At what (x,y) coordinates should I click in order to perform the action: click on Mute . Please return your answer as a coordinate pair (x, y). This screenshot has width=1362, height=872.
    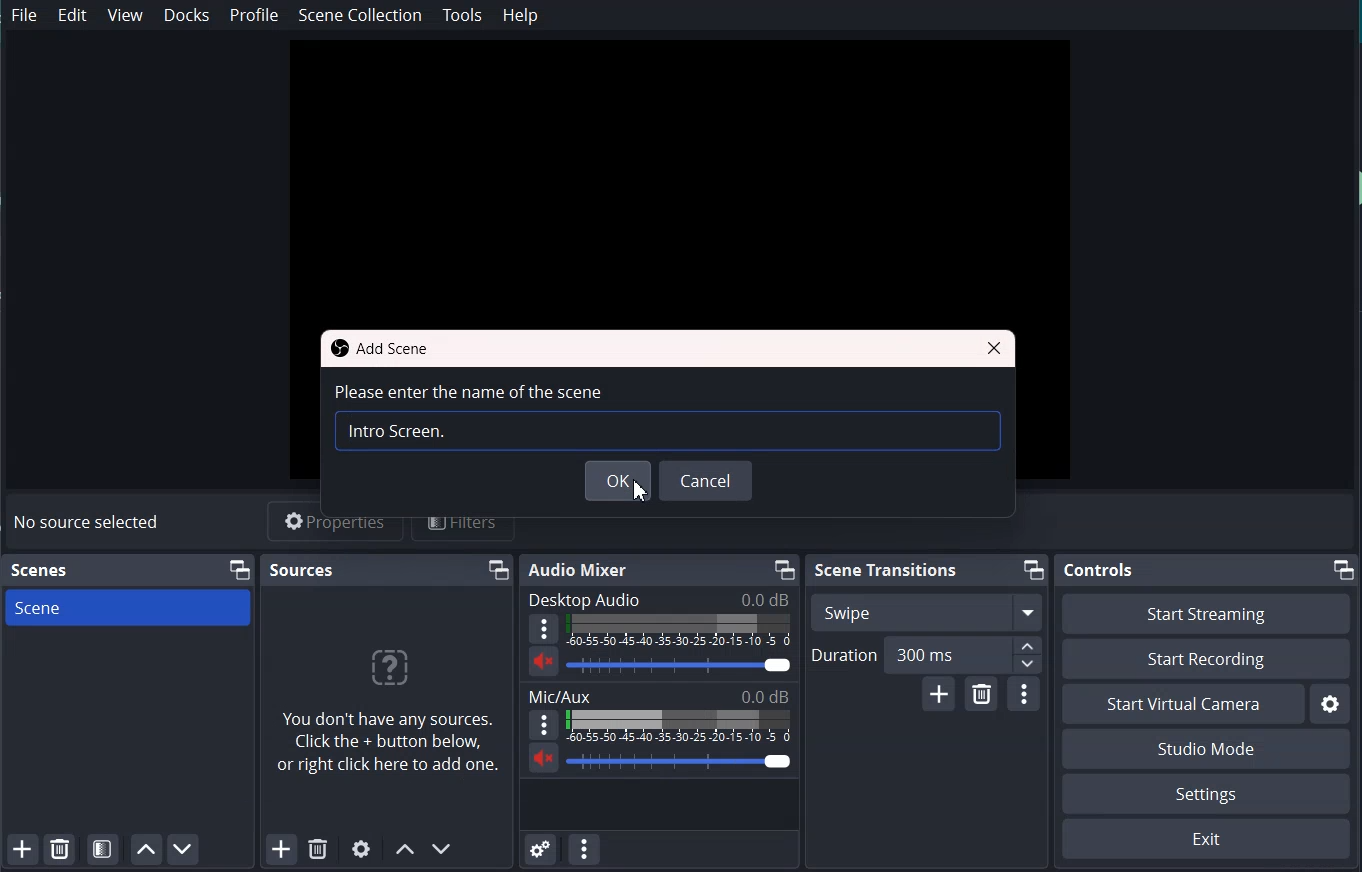
    Looking at the image, I should click on (544, 757).